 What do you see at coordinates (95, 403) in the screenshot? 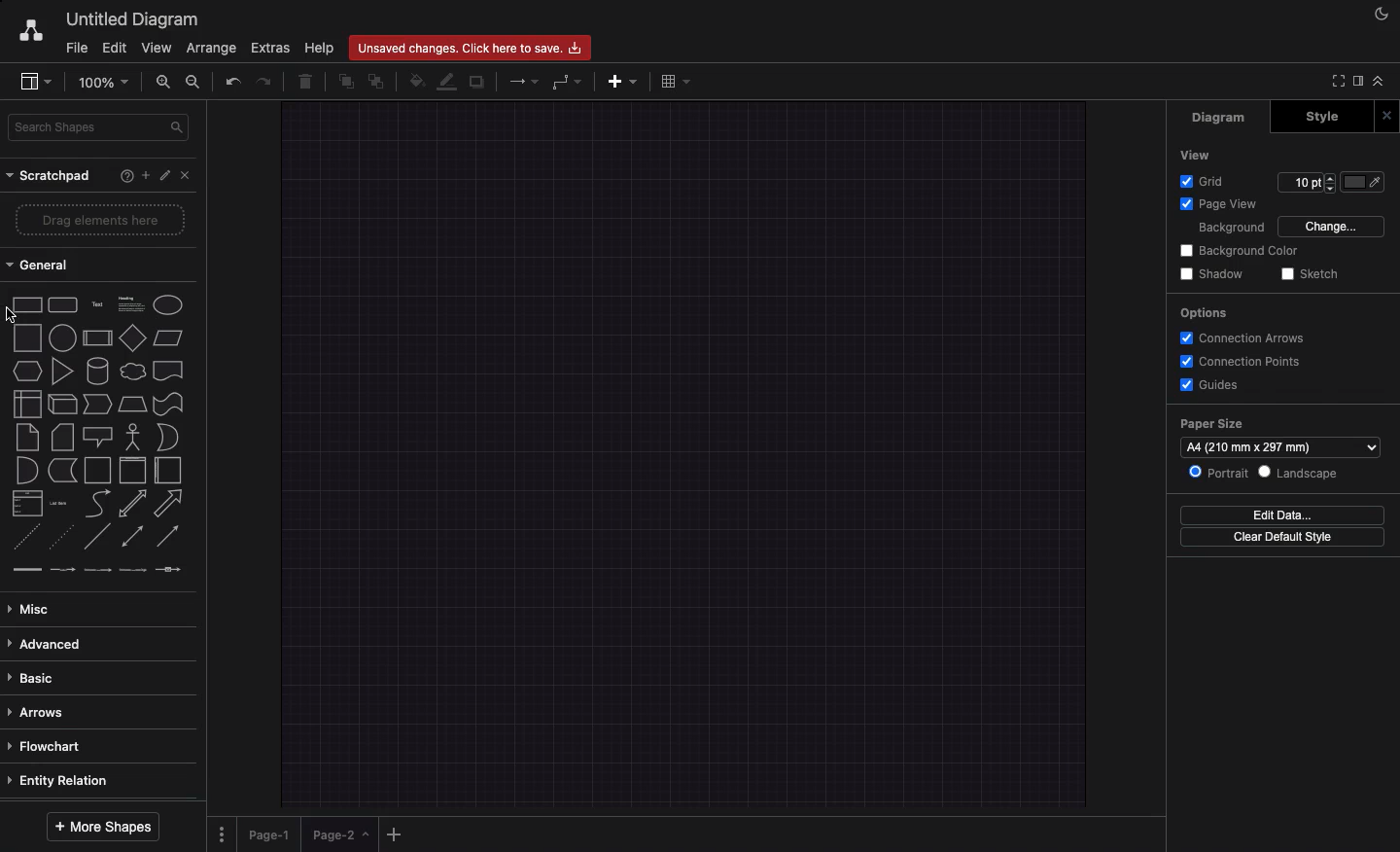
I see `step` at bounding box center [95, 403].